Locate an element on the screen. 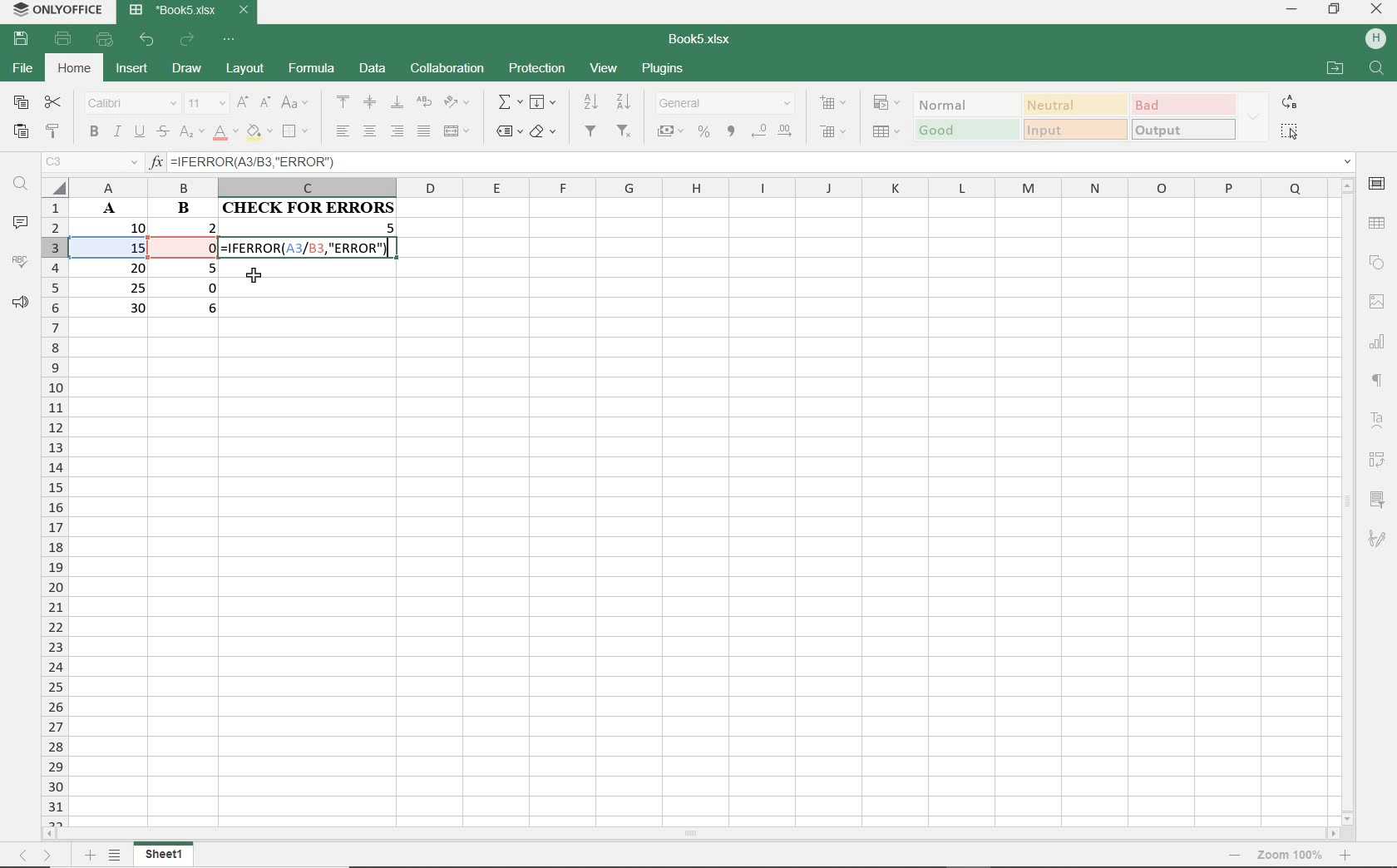 This screenshot has height=868, width=1397. SPELL CHECKING is located at coordinates (19, 259).